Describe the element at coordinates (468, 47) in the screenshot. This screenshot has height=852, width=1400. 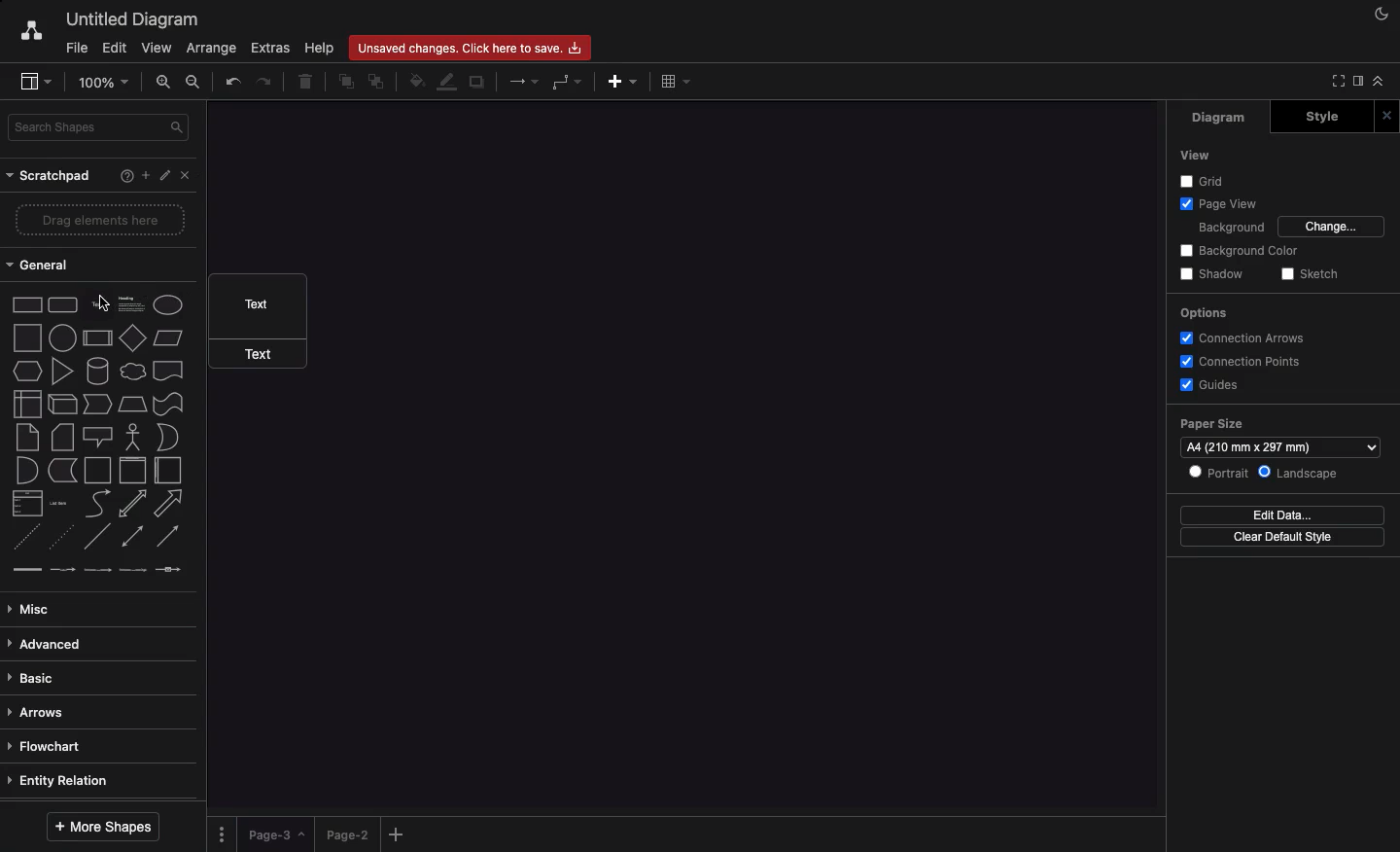
I see `Unsaved changes. click here to save` at that location.